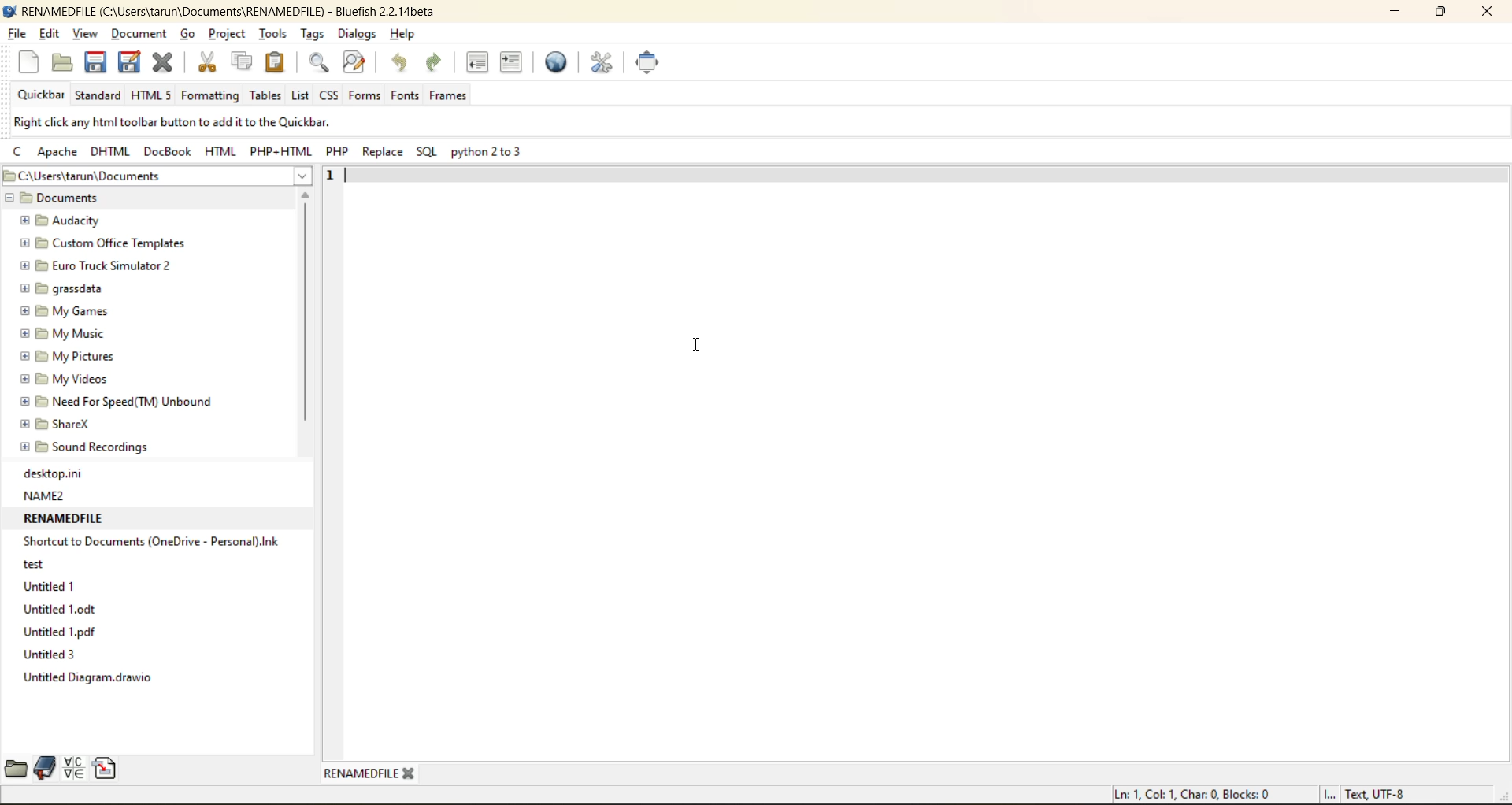 This screenshot has width=1512, height=805. What do you see at coordinates (315, 35) in the screenshot?
I see `tags` at bounding box center [315, 35].